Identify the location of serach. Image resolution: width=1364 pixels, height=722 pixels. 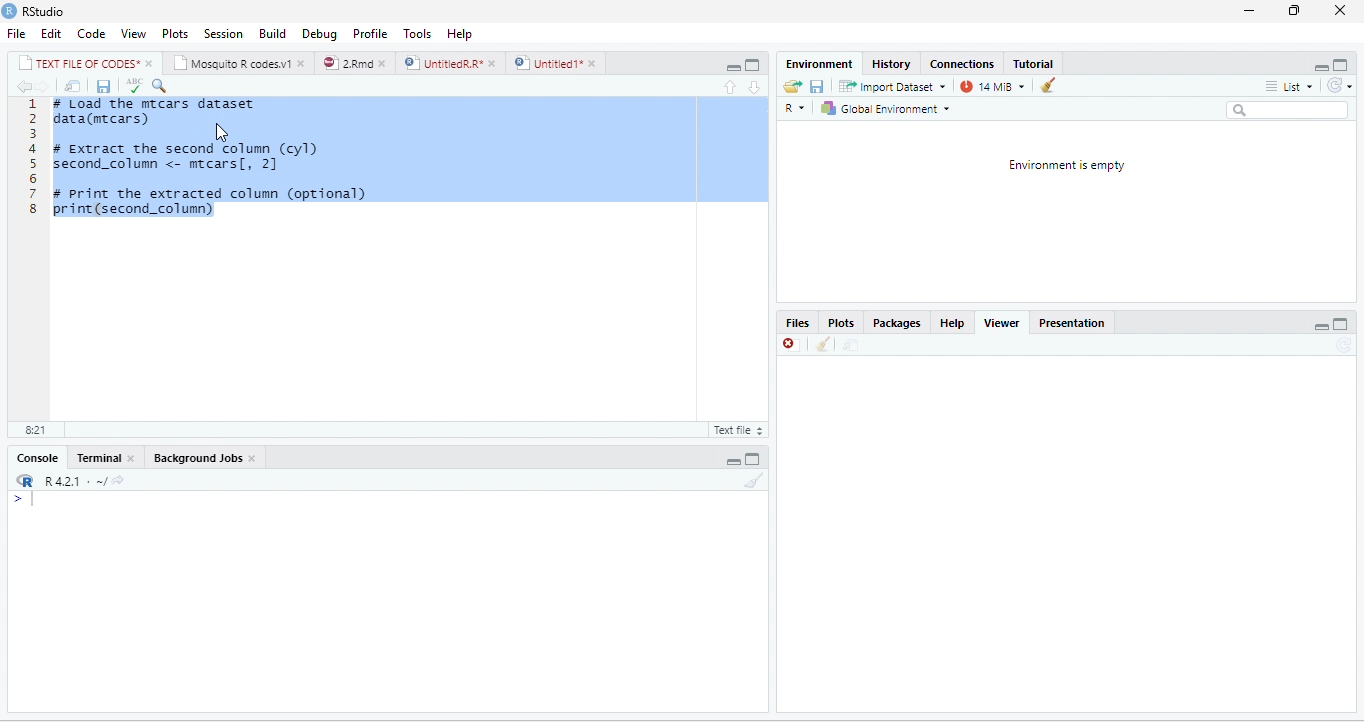
(163, 85).